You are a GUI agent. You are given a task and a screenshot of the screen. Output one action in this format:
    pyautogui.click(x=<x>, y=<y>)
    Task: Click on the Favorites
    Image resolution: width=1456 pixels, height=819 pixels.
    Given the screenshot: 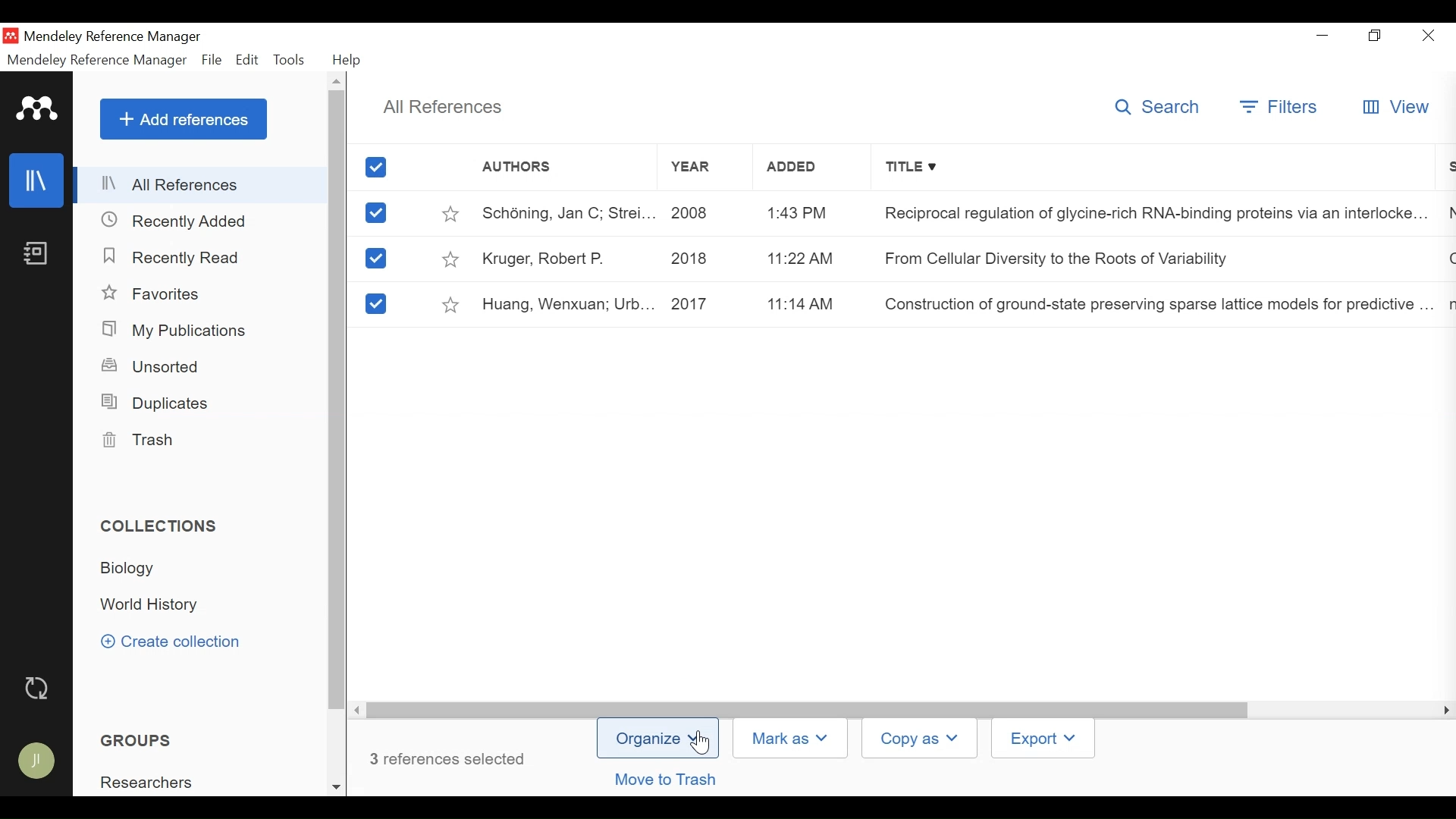 What is the action you would take?
    pyautogui.click(x=155, y=293)
    